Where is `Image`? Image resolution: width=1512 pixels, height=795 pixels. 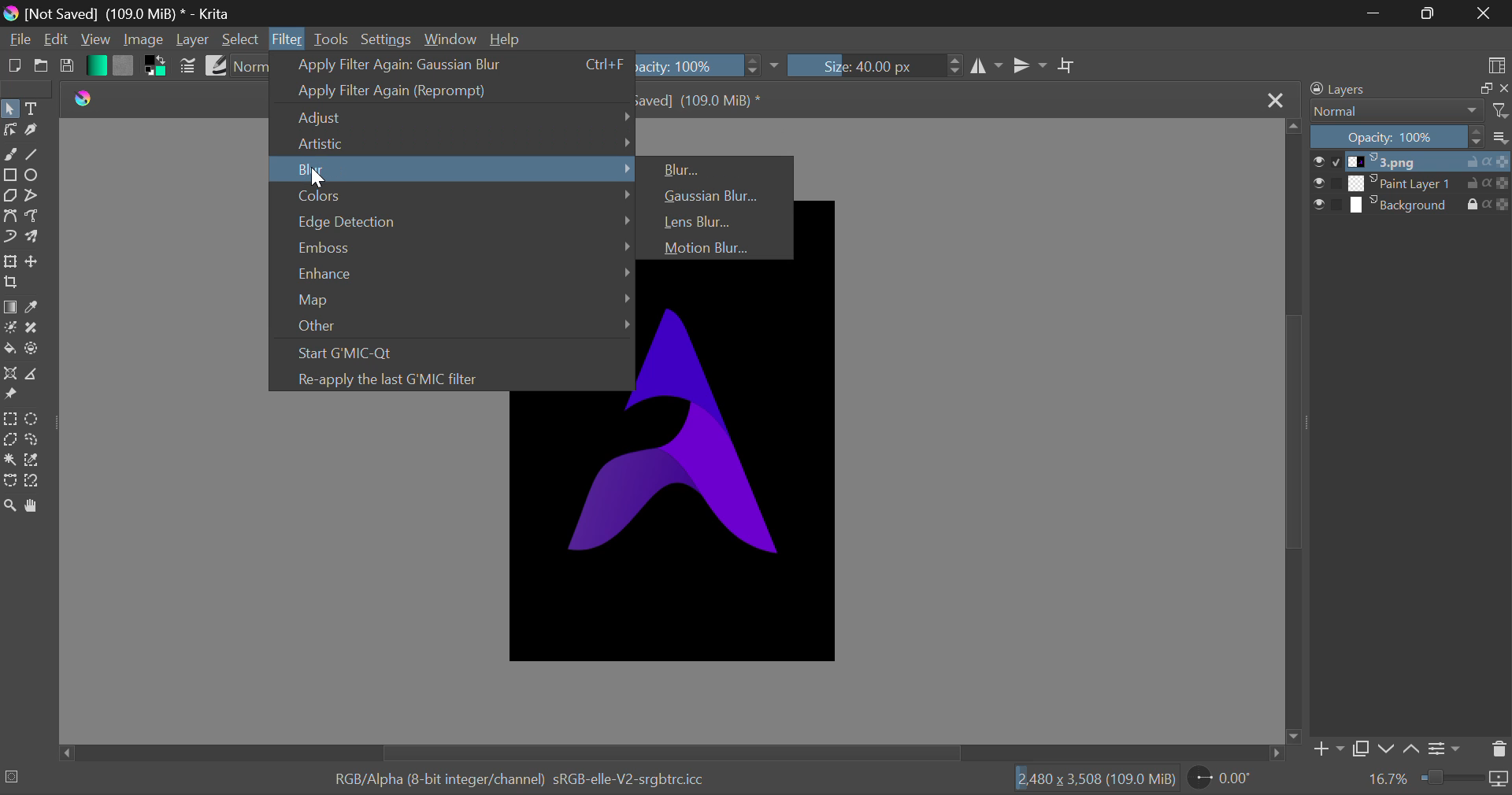 Image is located at coordinates (143, 41).